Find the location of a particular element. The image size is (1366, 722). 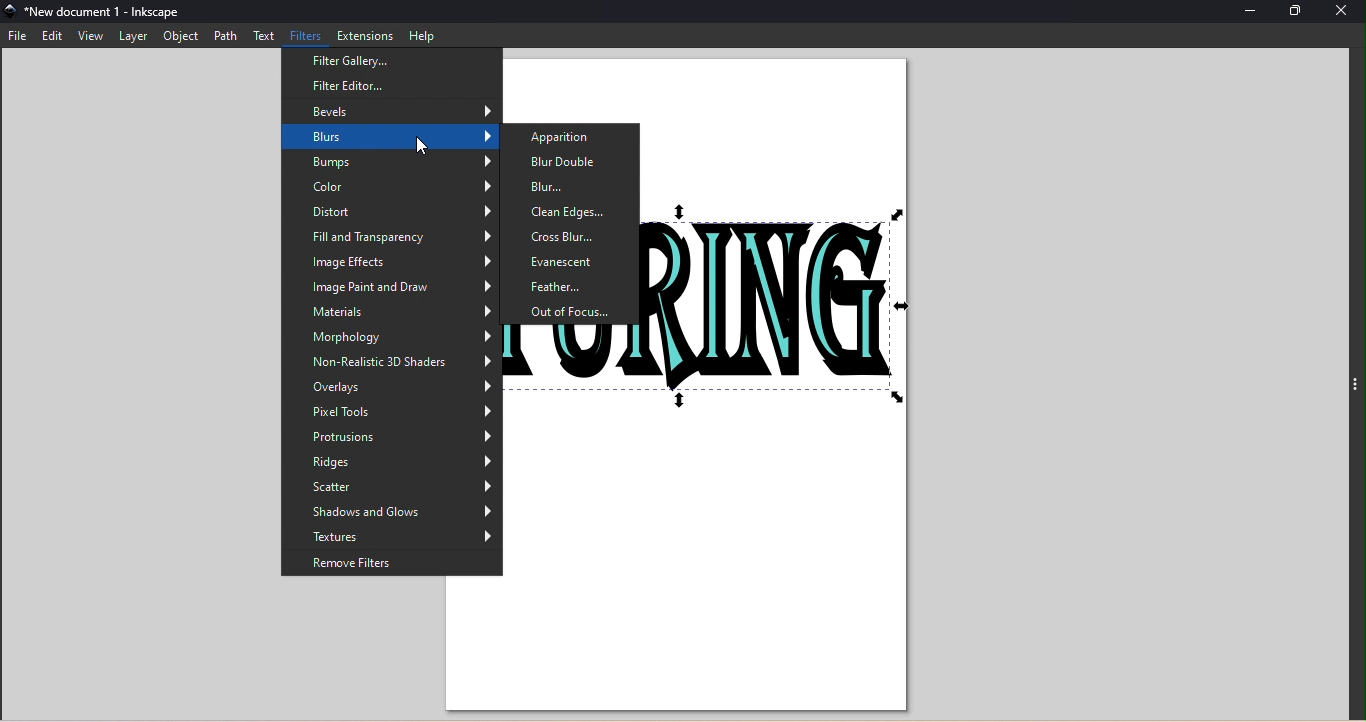

Apparition is located at coordinates (571, 138).